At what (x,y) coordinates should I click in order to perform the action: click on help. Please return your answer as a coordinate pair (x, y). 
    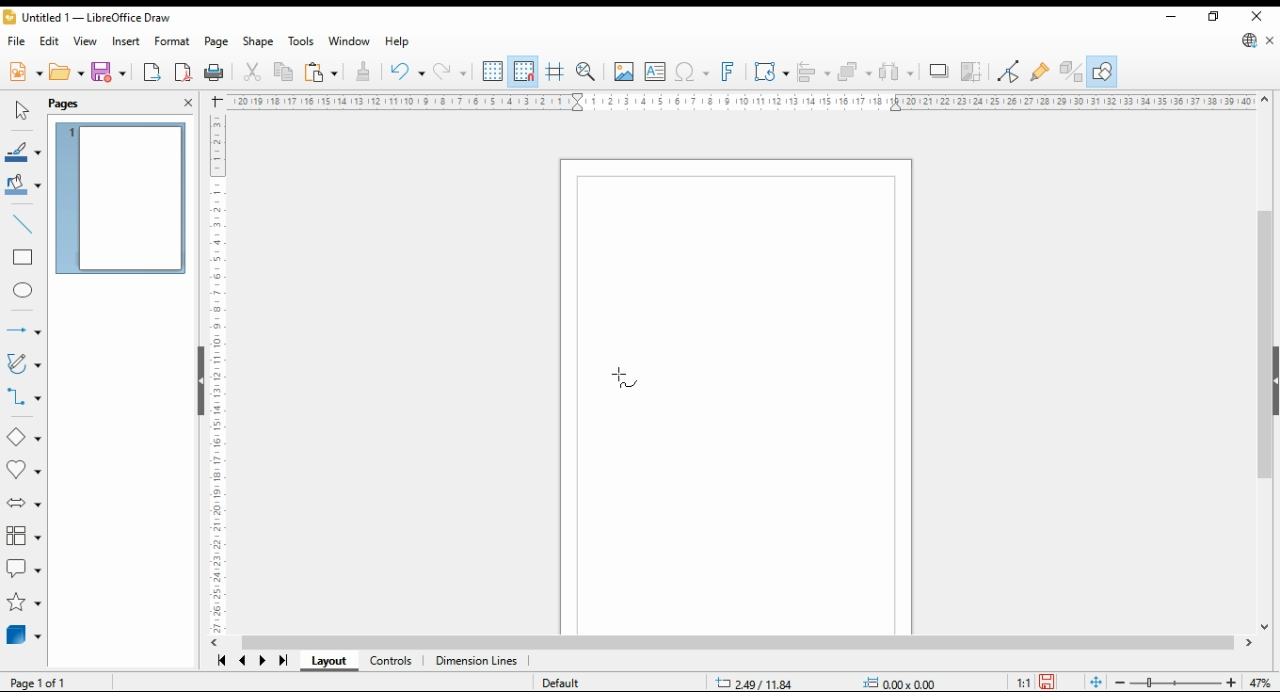
    Looking at the image, I should click on (397, 43).